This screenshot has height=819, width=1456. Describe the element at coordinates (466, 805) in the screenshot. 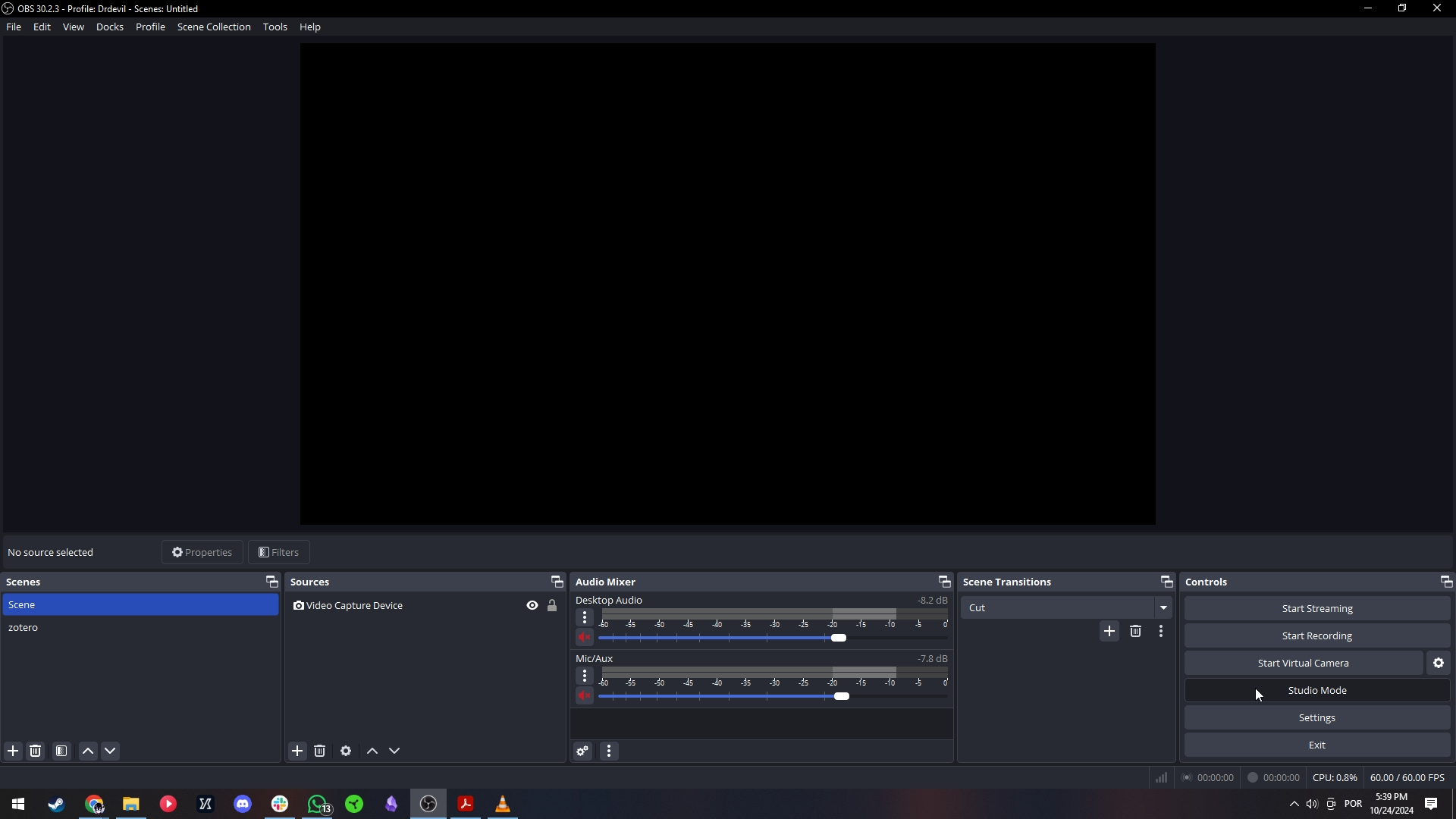

I see `adobe reader` at that location.